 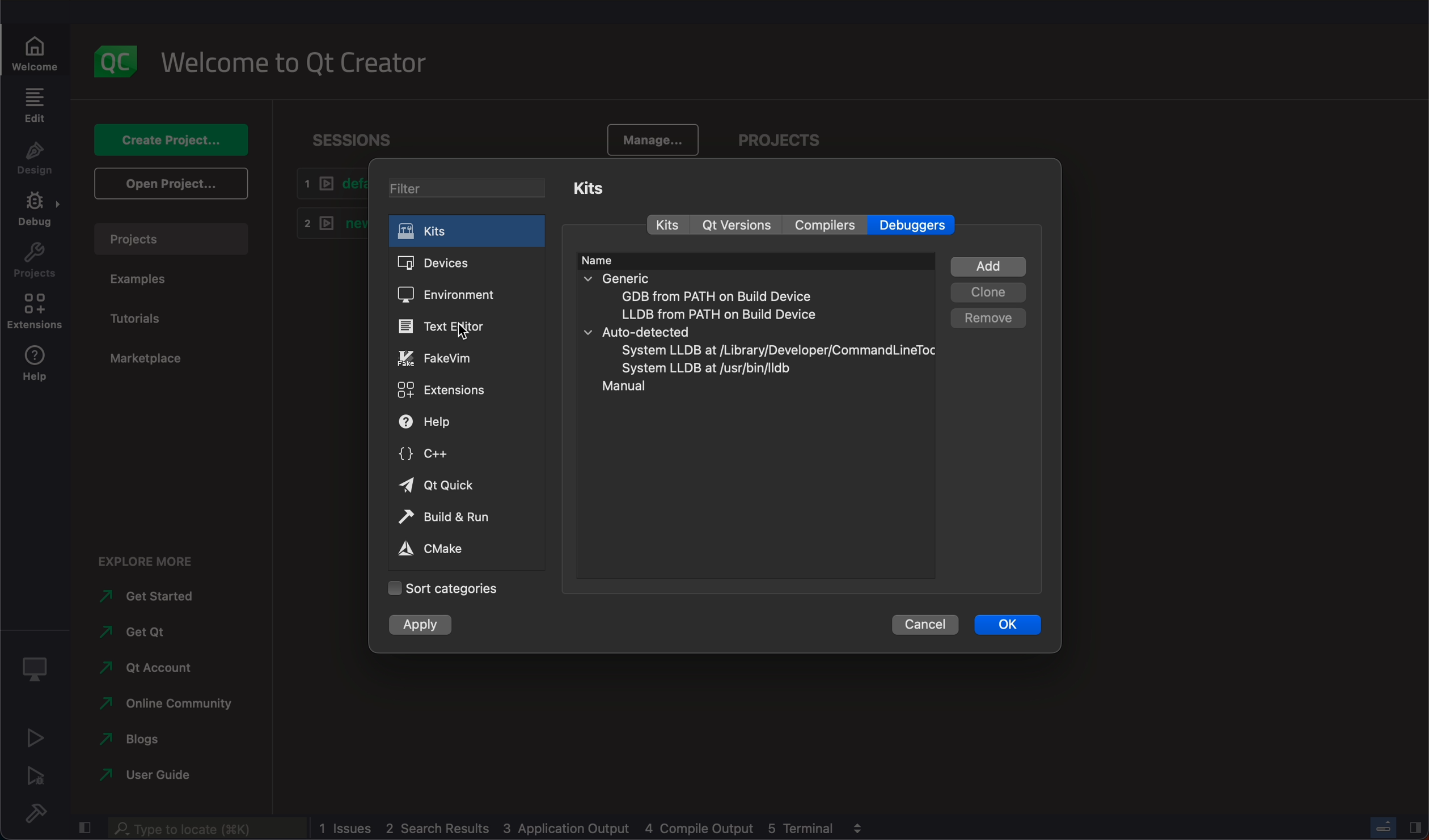 What do you see at coordinates (467, 357) in the screenshot?
I see `fakevim` at bounding box center [467, 357].